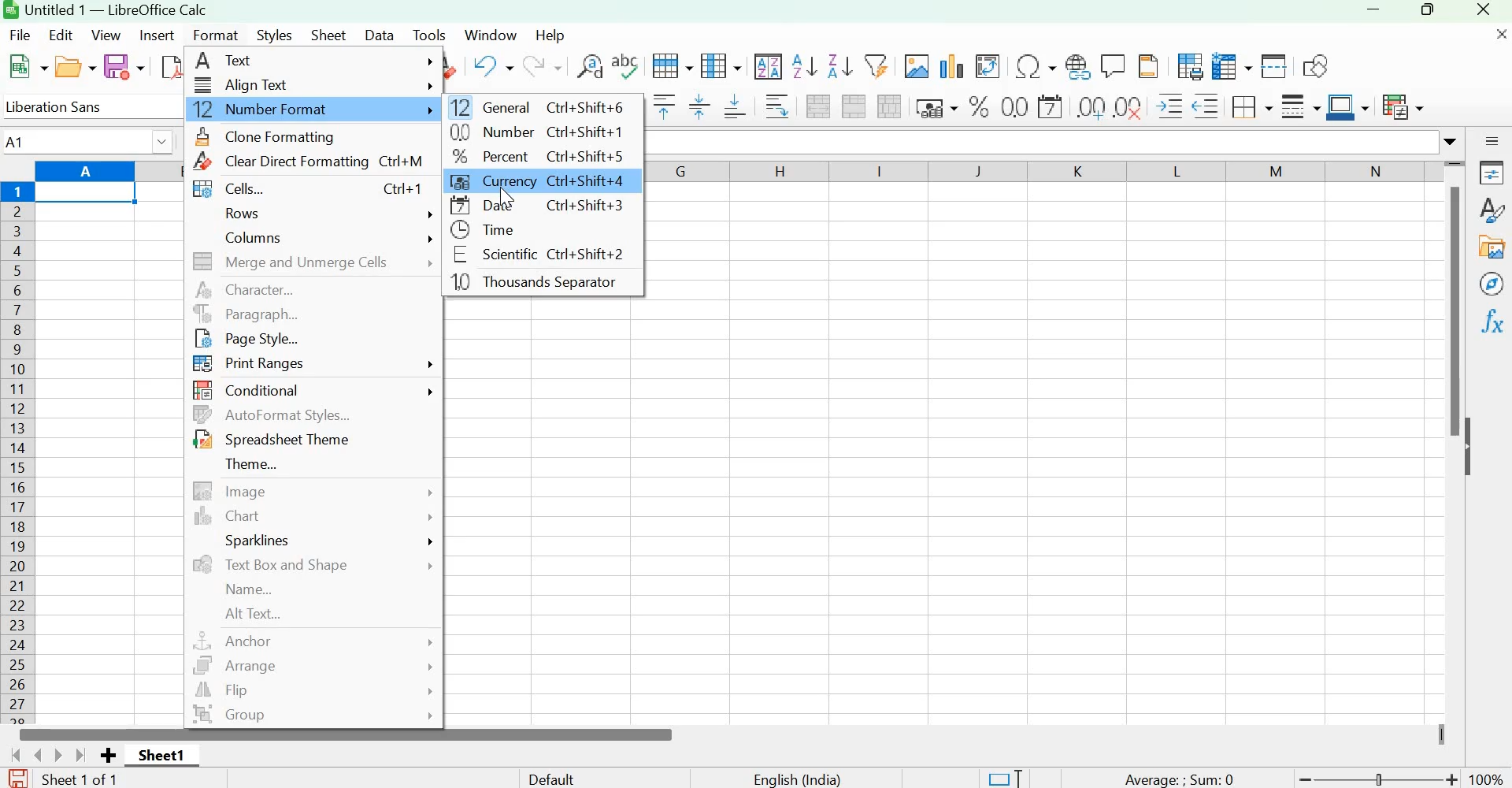 The height and width of the screenshot is (788, 1512). Describe the element at coordinates (346, 734) in the screenshot. I see `Scrollbar` at that location.